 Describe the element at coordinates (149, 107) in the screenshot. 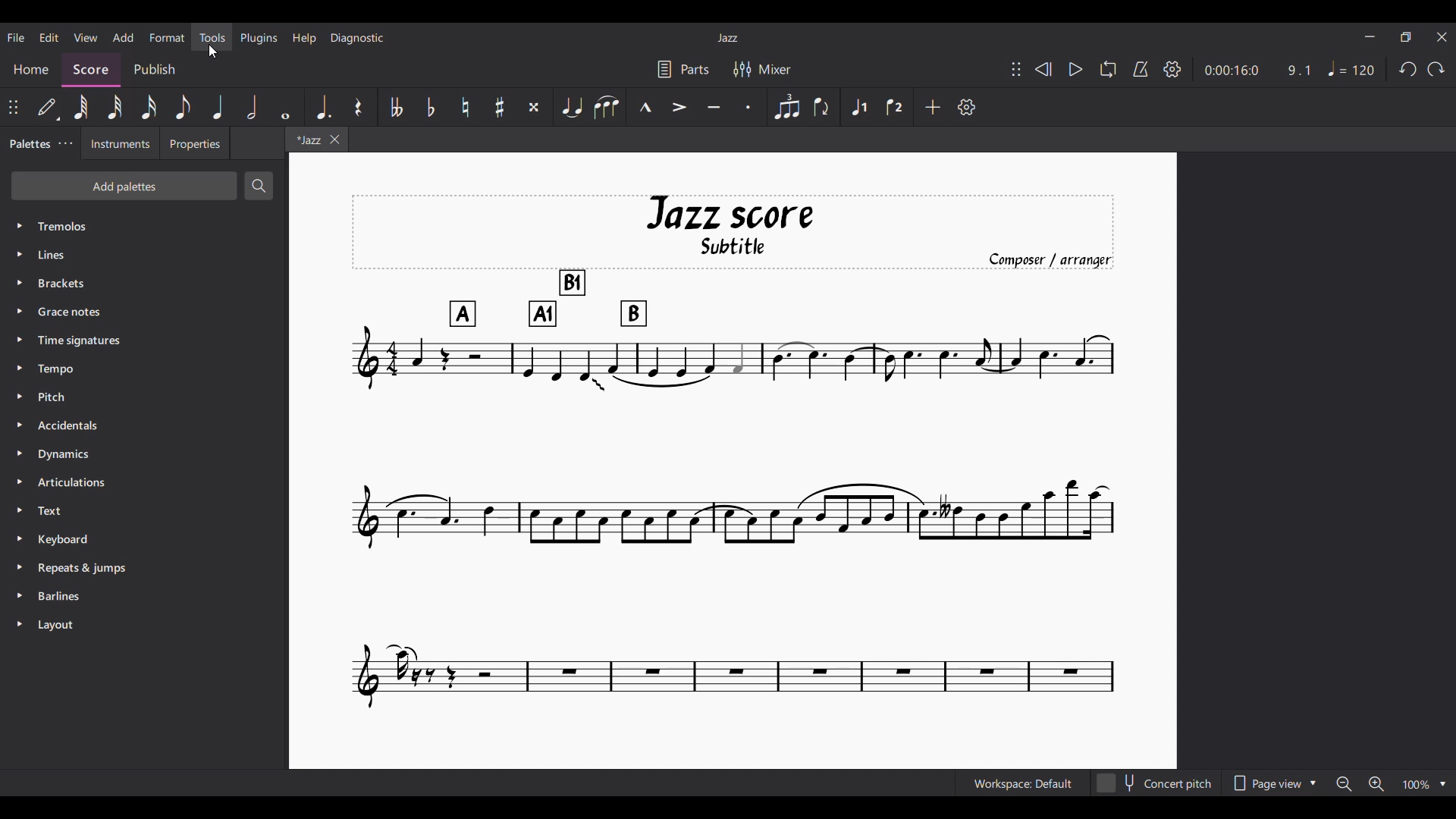

I see `16th note` at that location.